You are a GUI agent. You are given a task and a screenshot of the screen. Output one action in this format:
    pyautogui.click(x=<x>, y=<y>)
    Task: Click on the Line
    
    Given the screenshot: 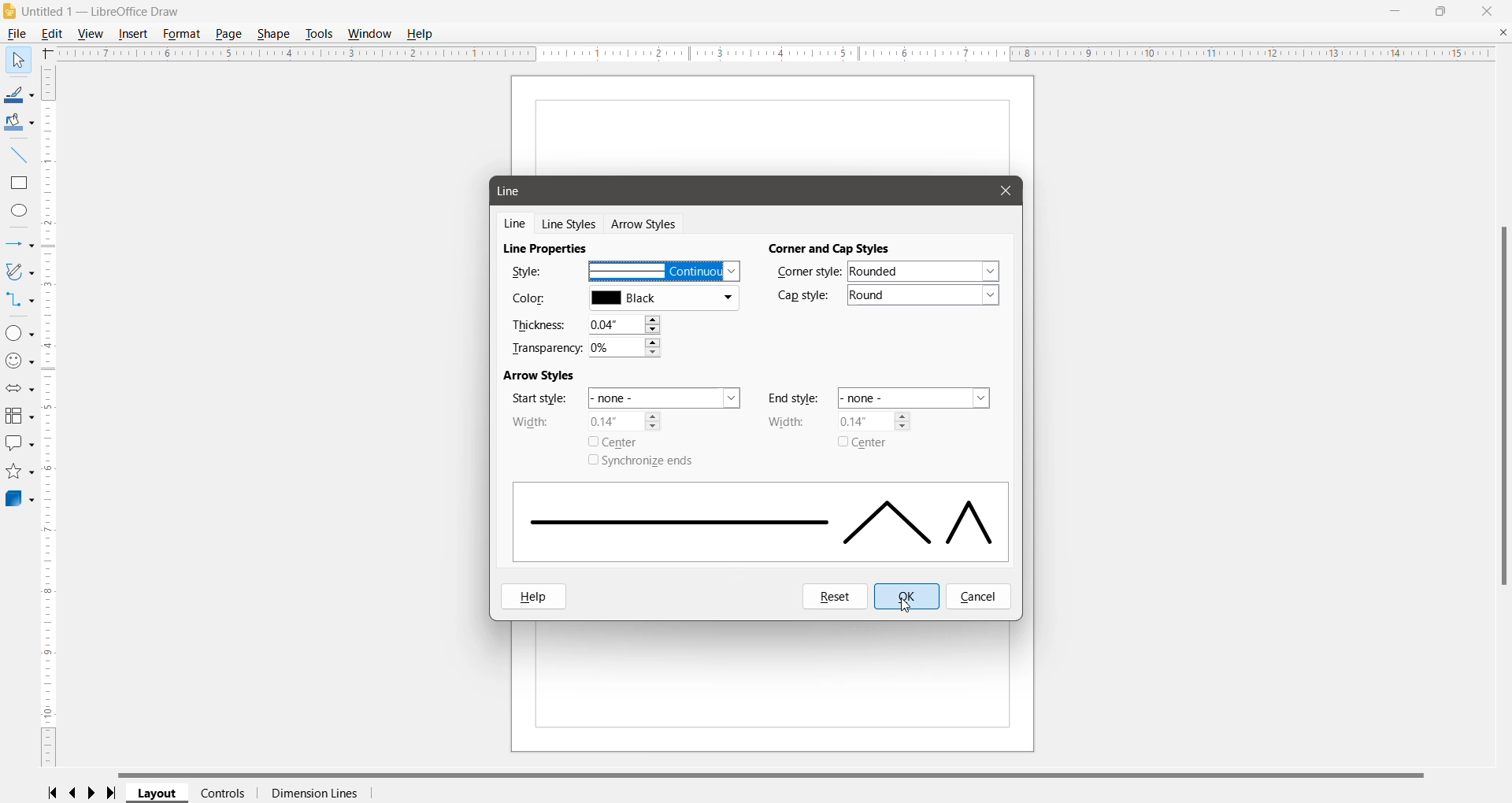 What is the action you would take?
    pyautogui.click(x=518, y=192)
    